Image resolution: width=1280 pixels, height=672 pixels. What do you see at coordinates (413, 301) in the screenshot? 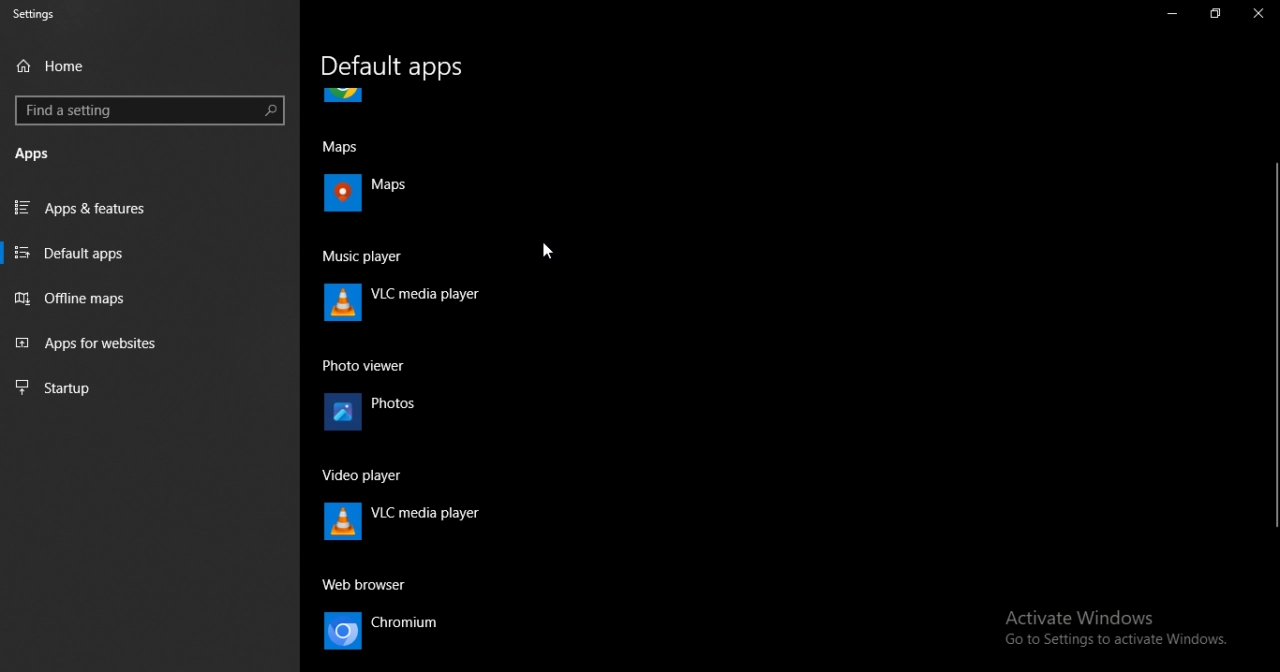
I see `VLC media player` at bounding box center [413, 301].